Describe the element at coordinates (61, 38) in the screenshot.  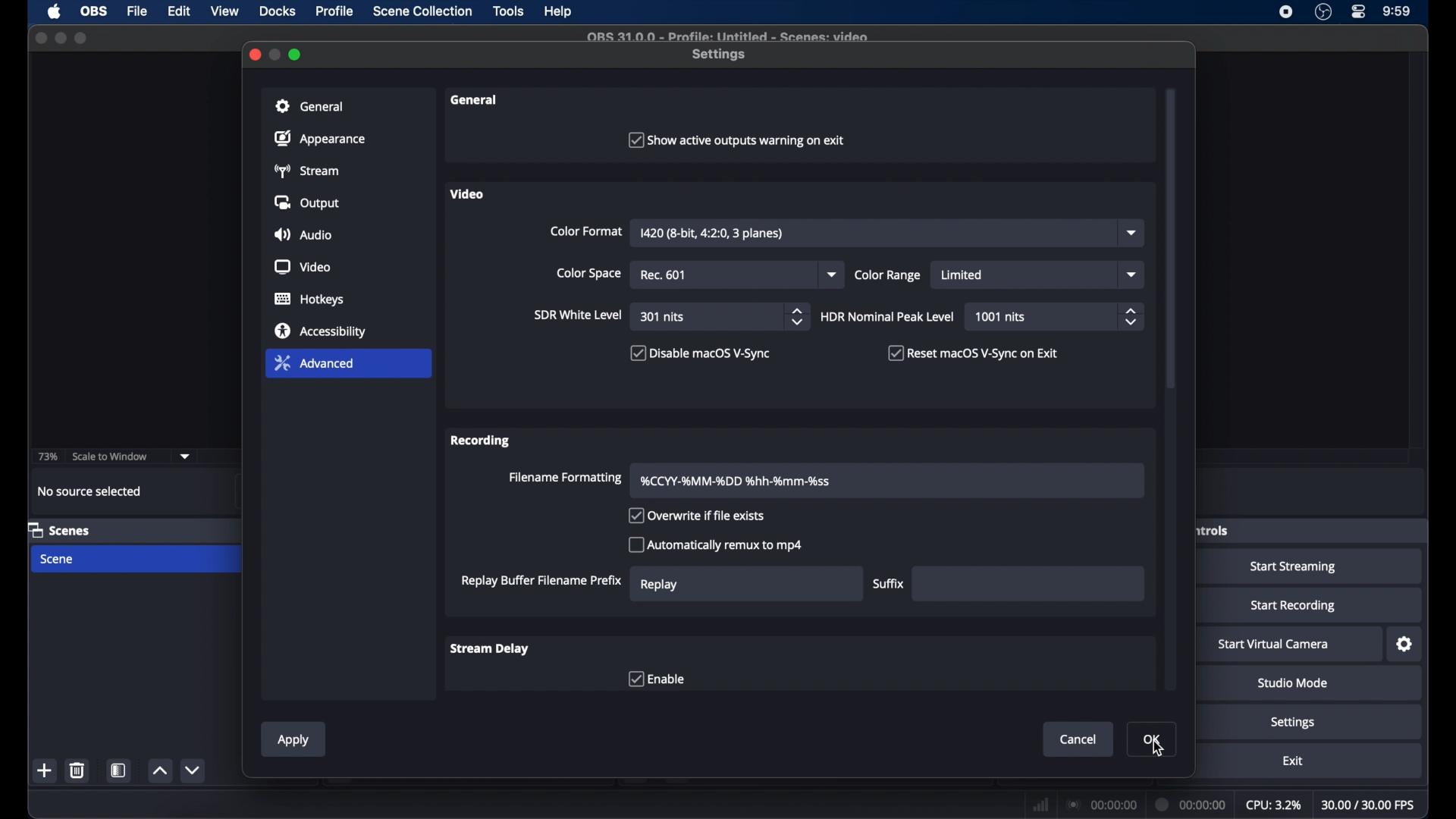
I see `minimize` at that location.